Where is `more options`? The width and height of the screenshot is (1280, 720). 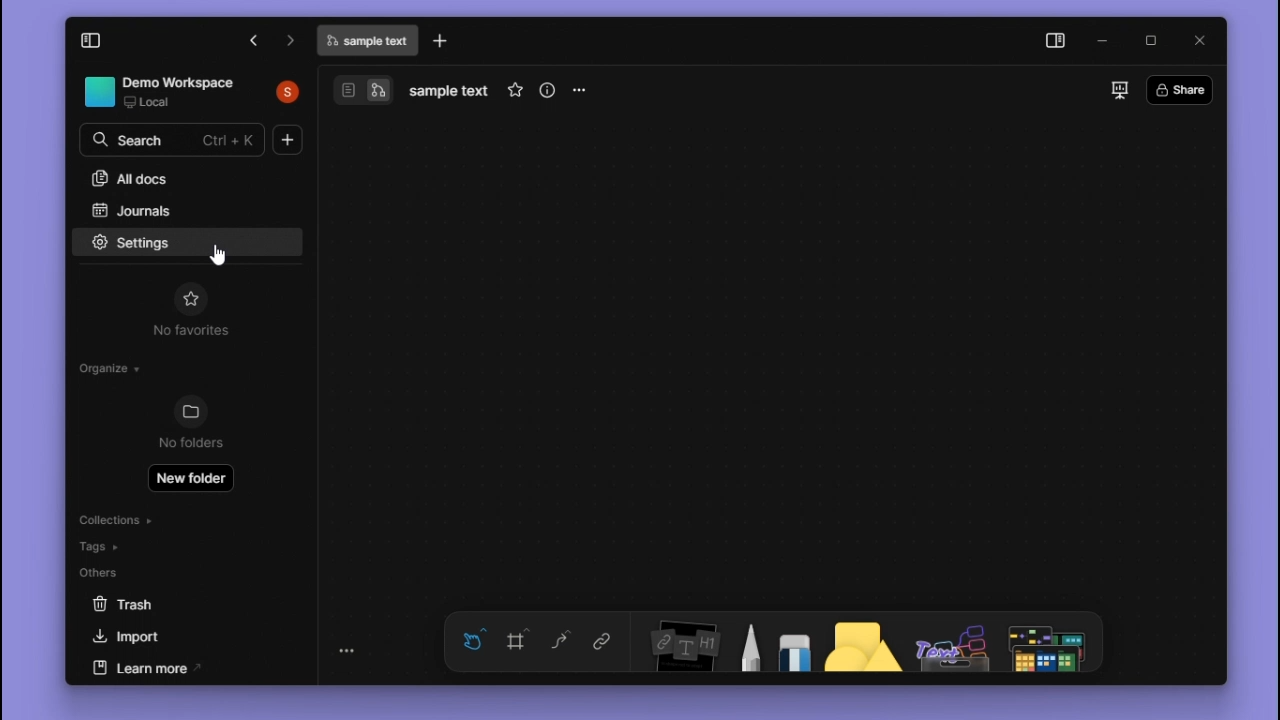 more options is located at coordinates (582, 92).